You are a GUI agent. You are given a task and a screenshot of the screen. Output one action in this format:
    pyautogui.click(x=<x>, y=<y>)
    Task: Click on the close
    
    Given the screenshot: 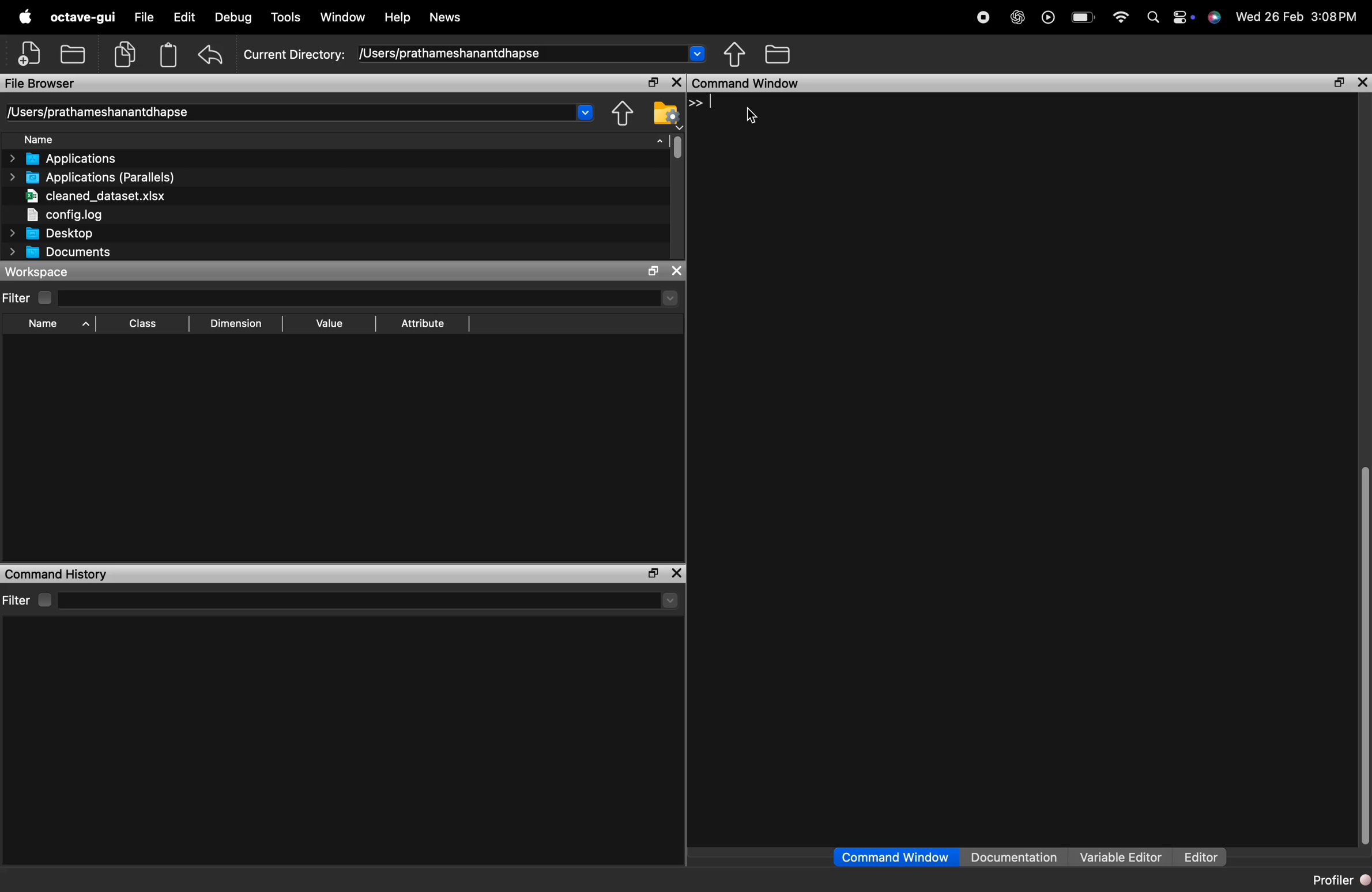 What is the action you would take?
    pyautogui.click(x=1361, y=84)
    